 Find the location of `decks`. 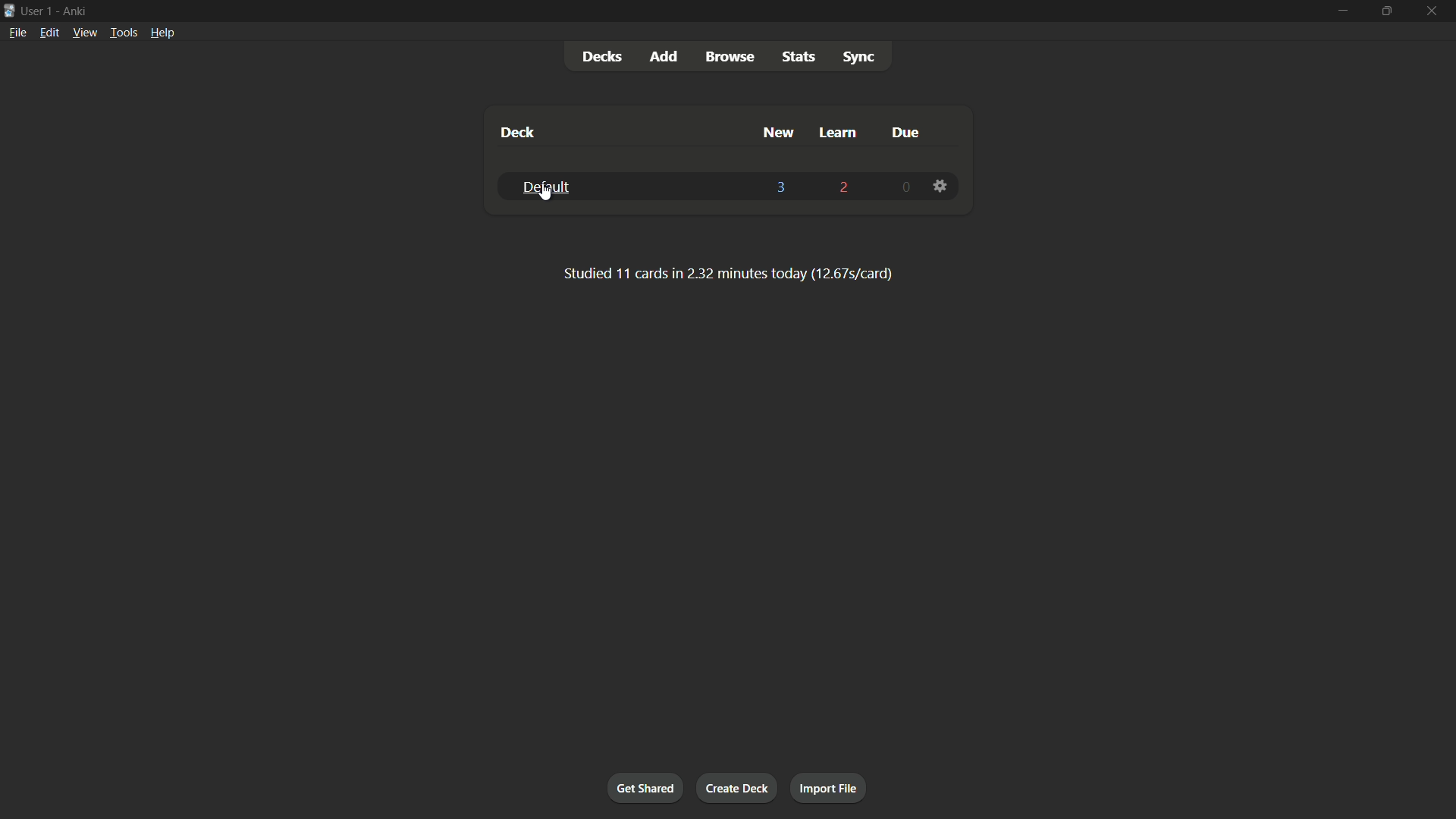

decks is located at coordinates (603, 57).